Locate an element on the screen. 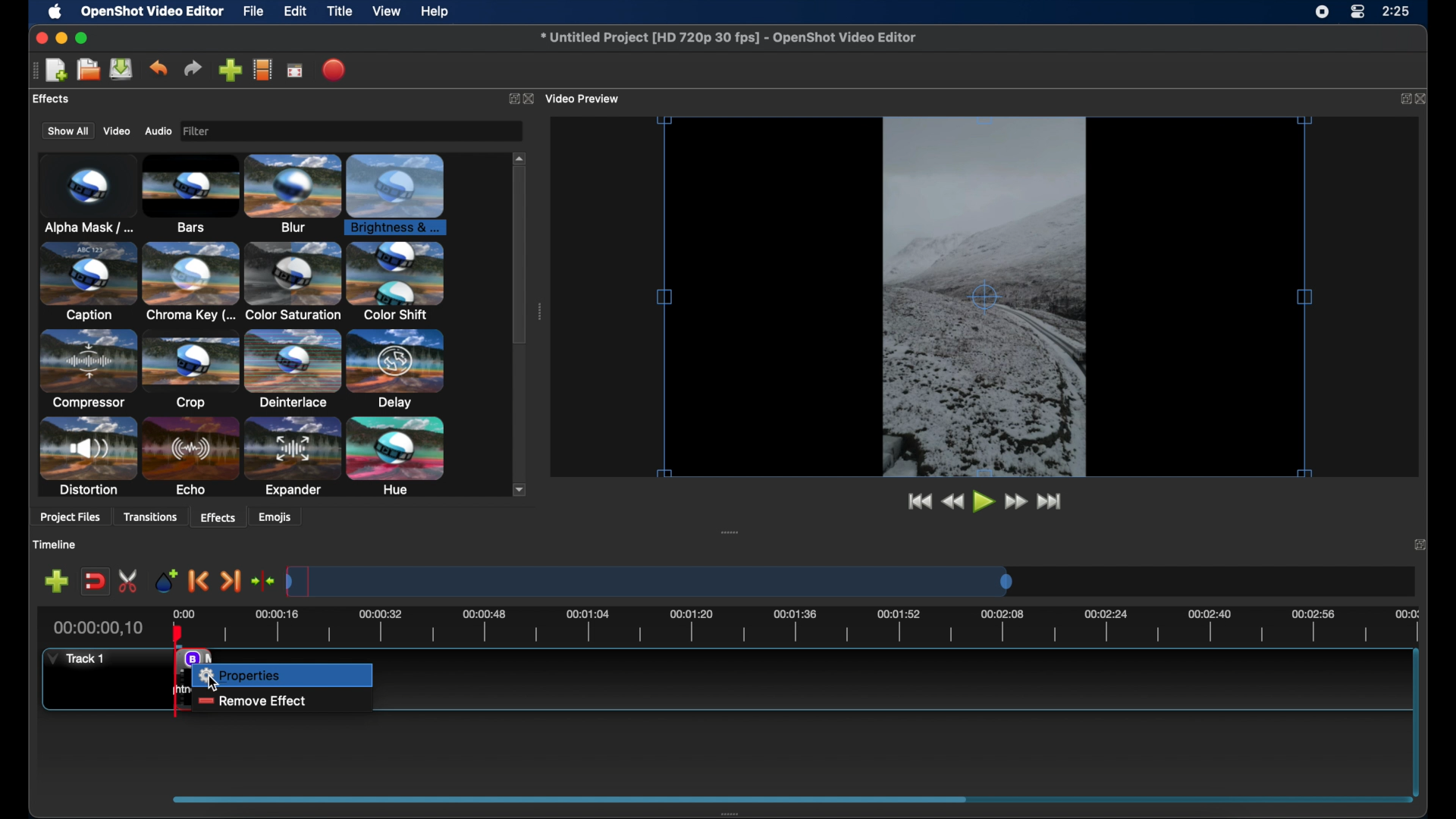  timeline is located at coordinates (55, 544).